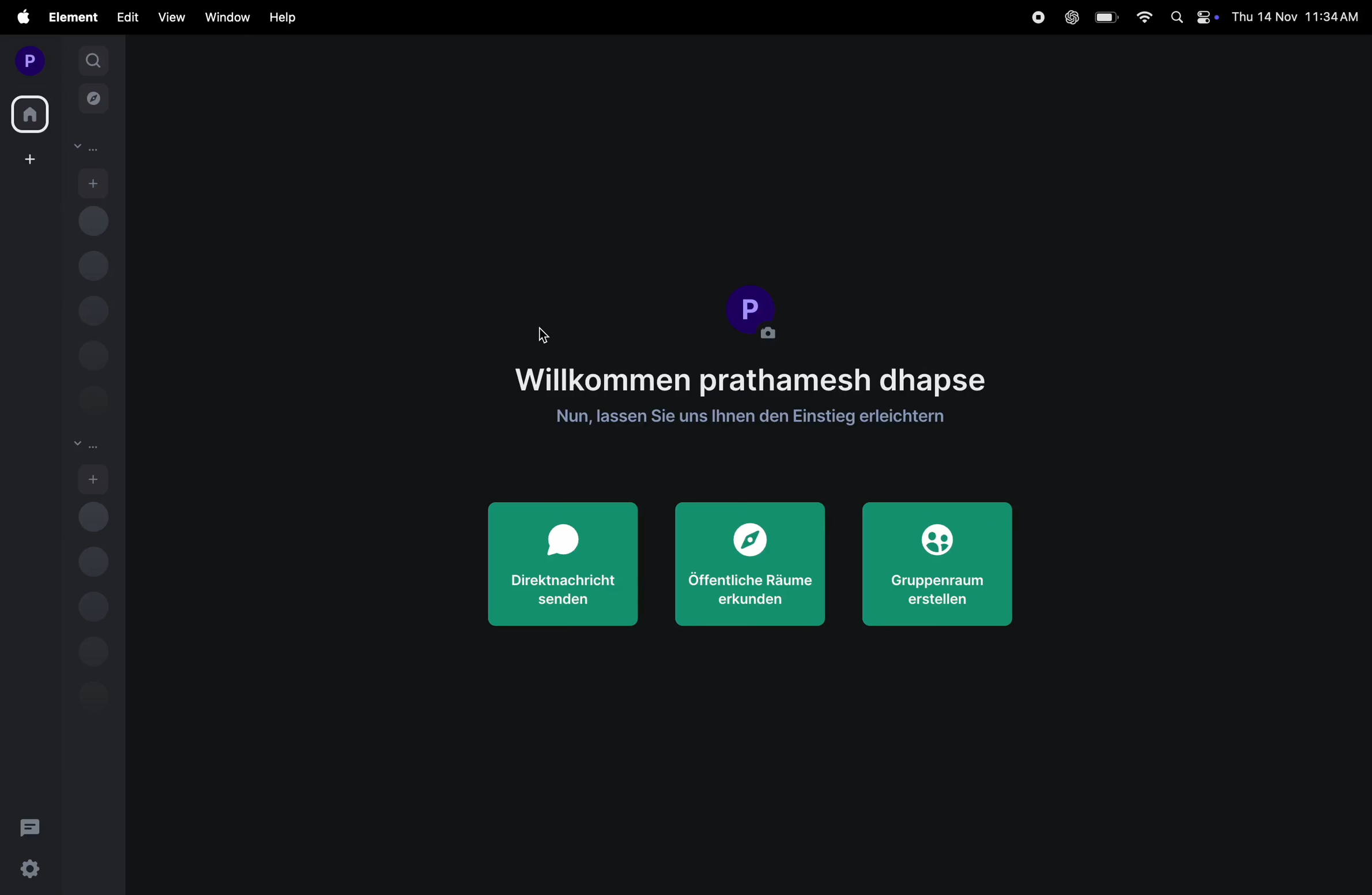 This screenshot has height=895, width=1372. Describe the element at coordinates (752, 566) in the screenshot. I see `explore public` at that location.